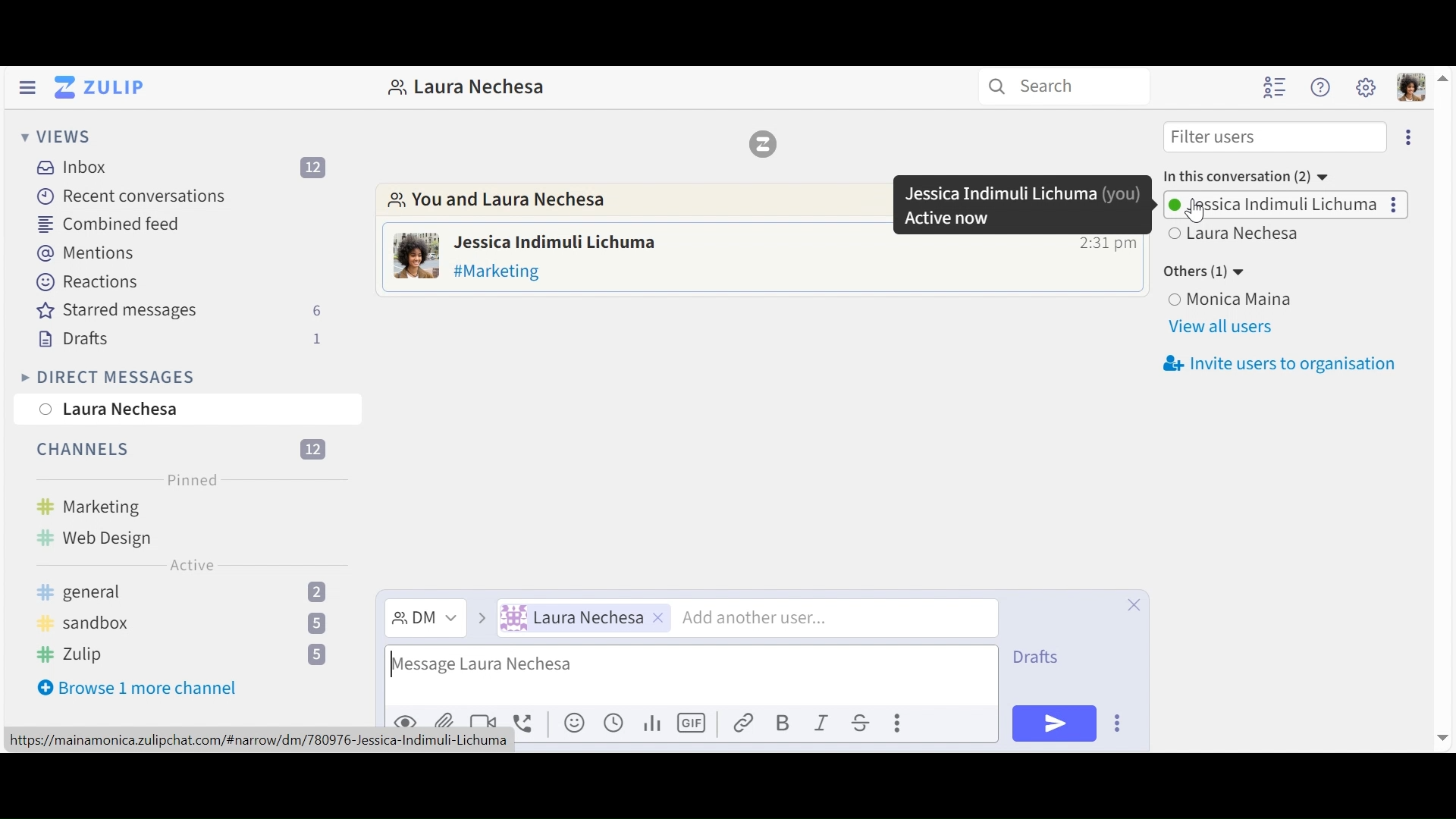  Describe the element at coordinates (55, 136) in the screenshot. I see `Views` at that location.